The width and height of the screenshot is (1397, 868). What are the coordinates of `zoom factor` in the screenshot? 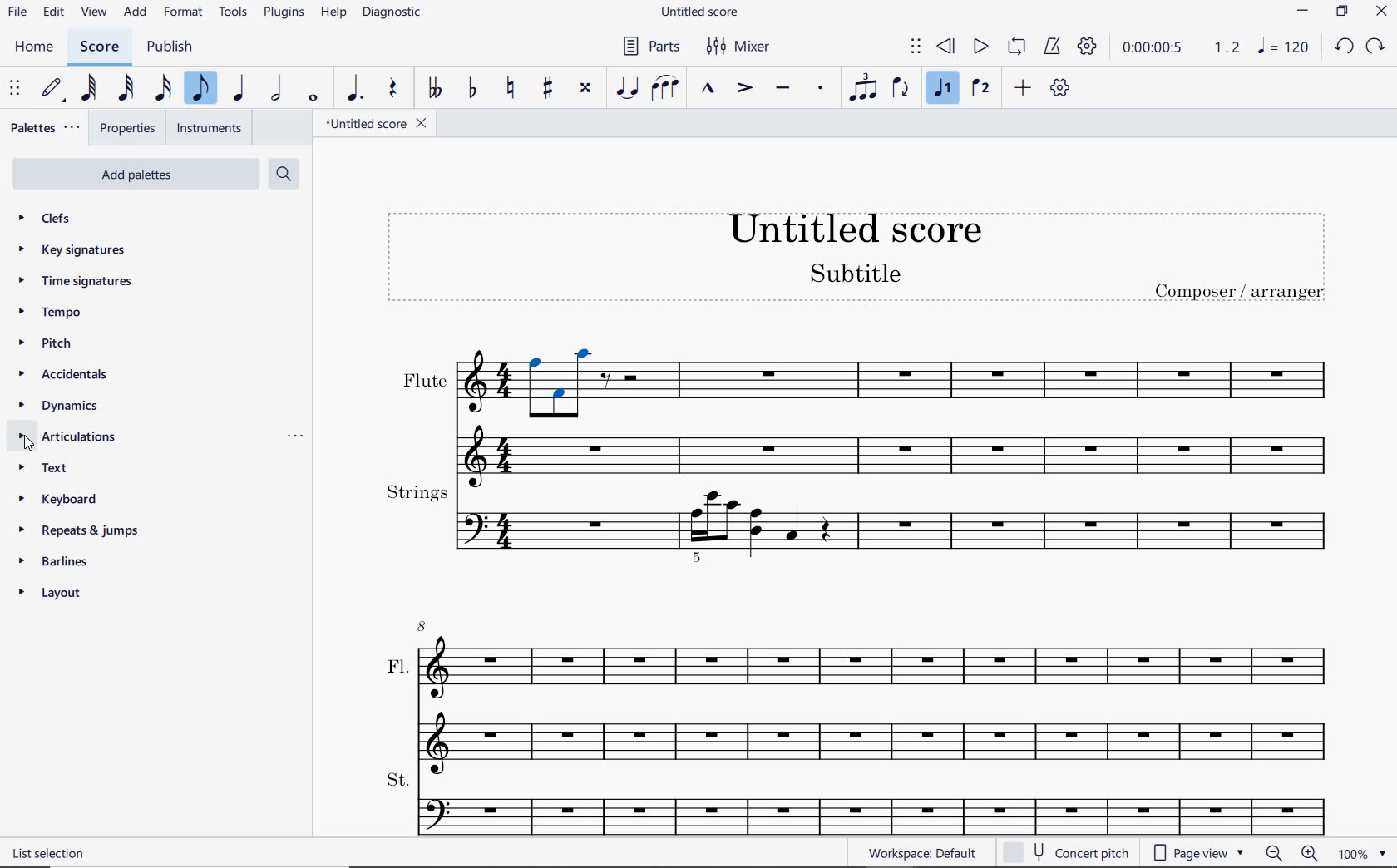 It's located at (1364, 853).